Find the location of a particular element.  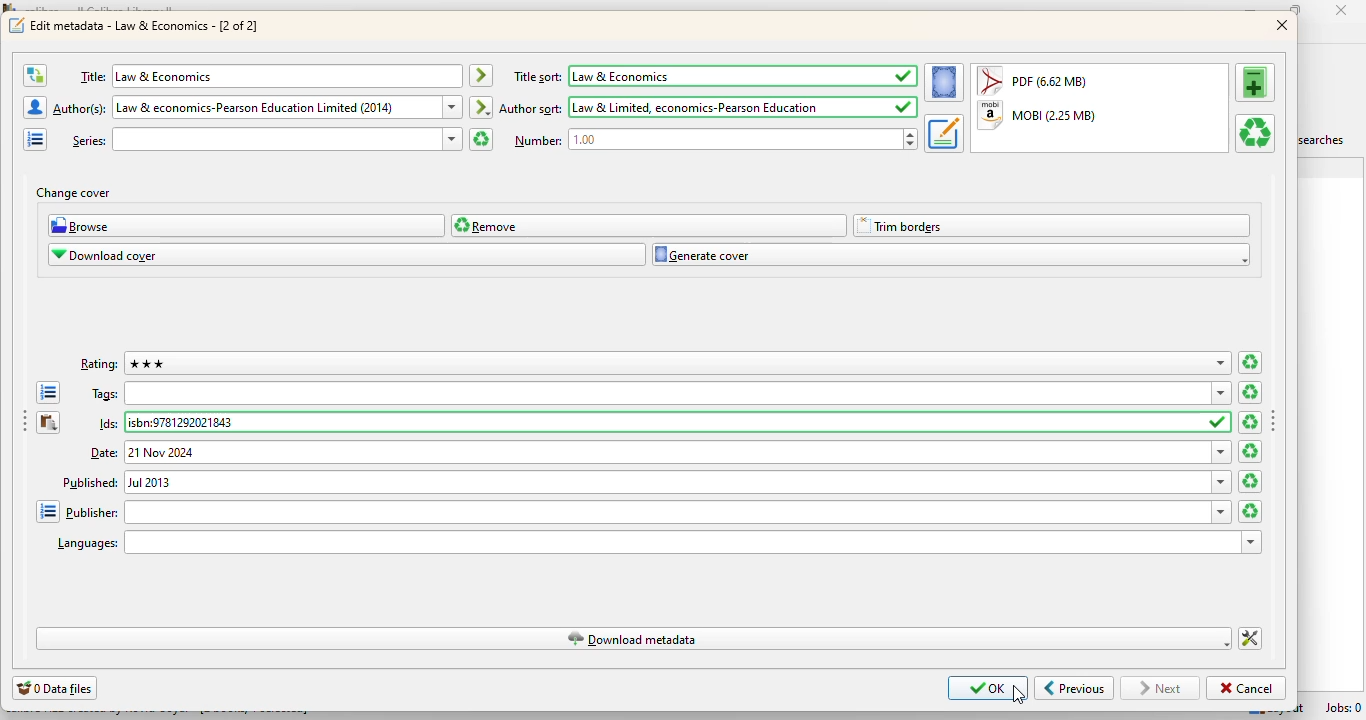

open the tag editor is located at coordinates (49, 393).